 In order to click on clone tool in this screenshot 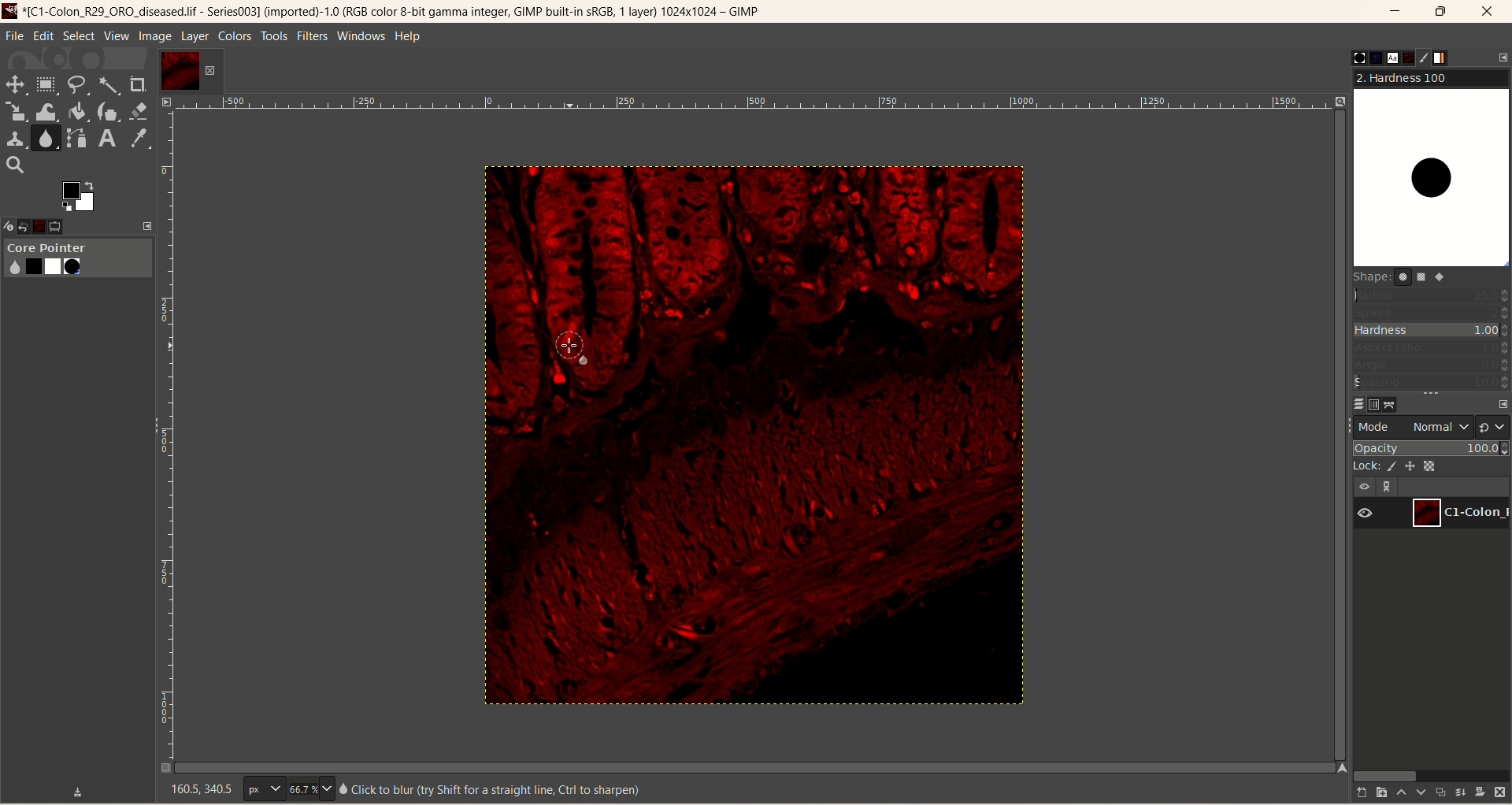, I will do `click(14, 138)`.